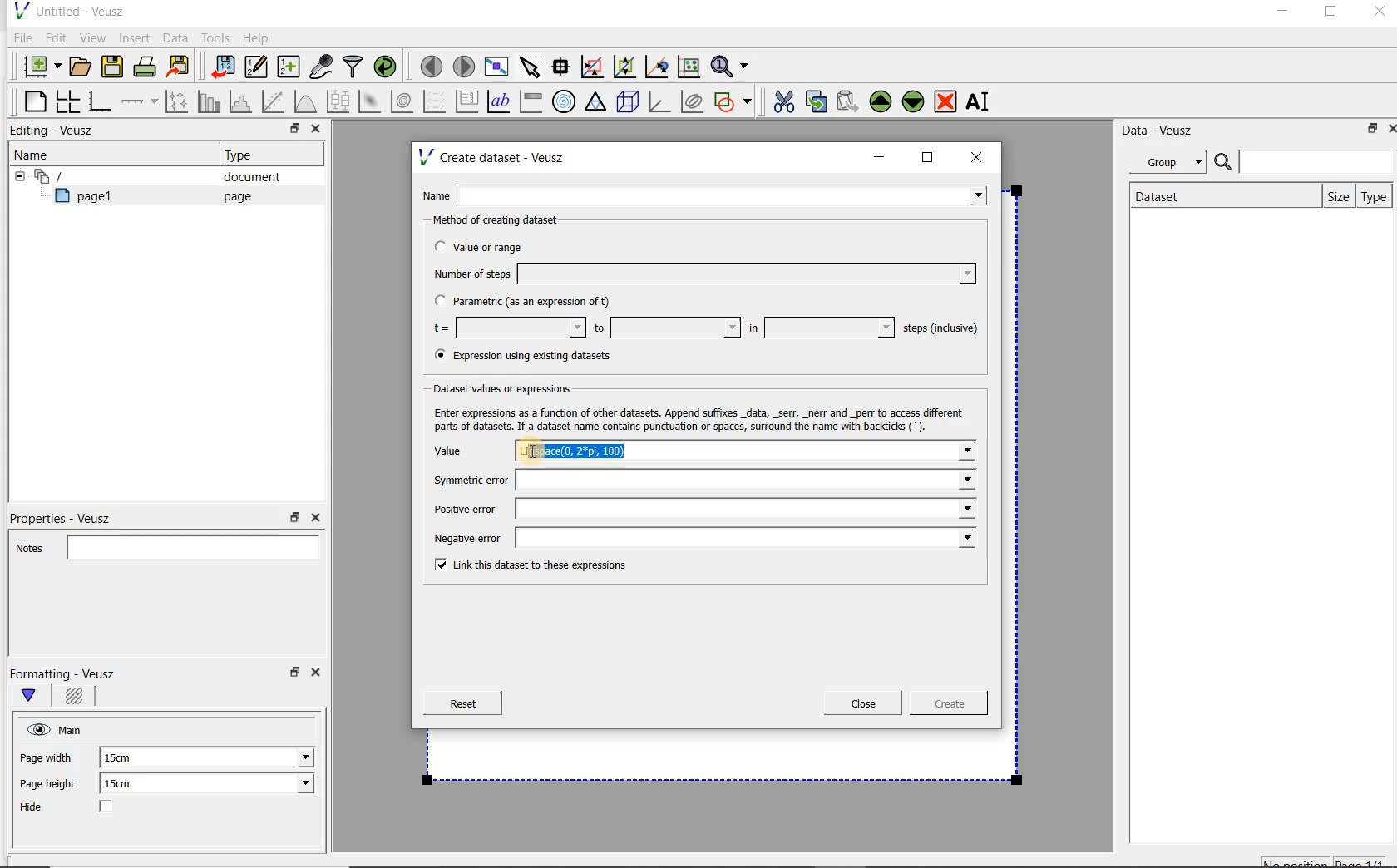 This screenshot has height=868, width=1397. I want to click on open a document, so click(82, 65).